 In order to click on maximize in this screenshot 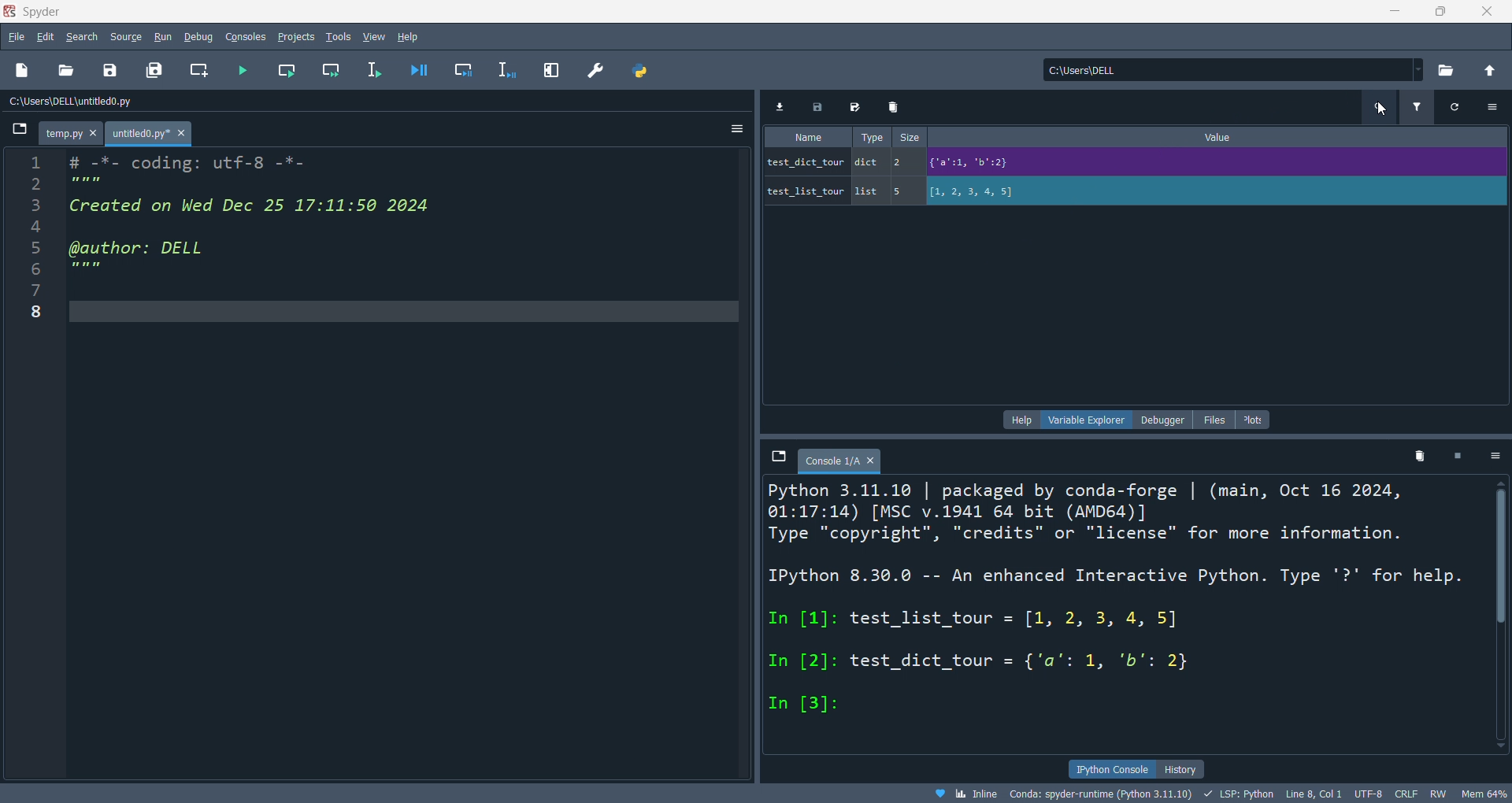, I will do `click(1429, 13)`.